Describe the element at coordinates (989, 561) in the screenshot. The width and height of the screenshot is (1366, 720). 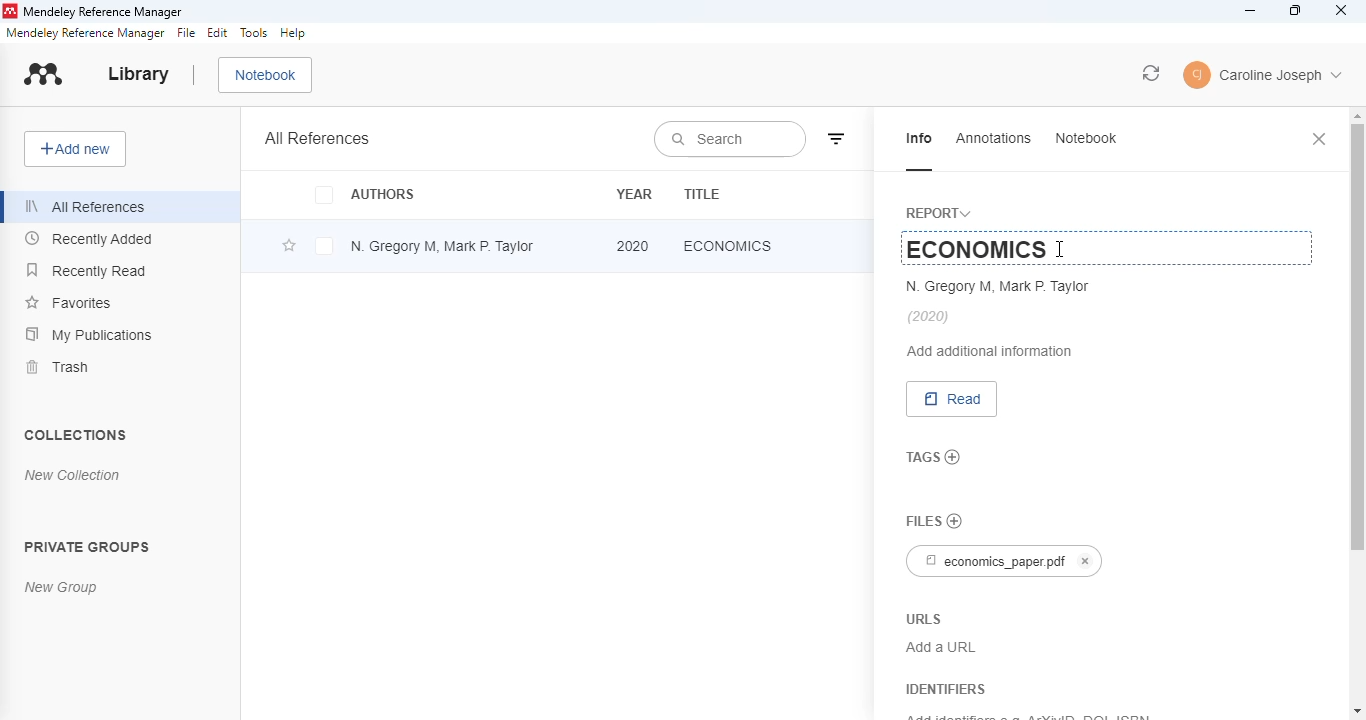
I see `economics_paper.pdf` at that location.